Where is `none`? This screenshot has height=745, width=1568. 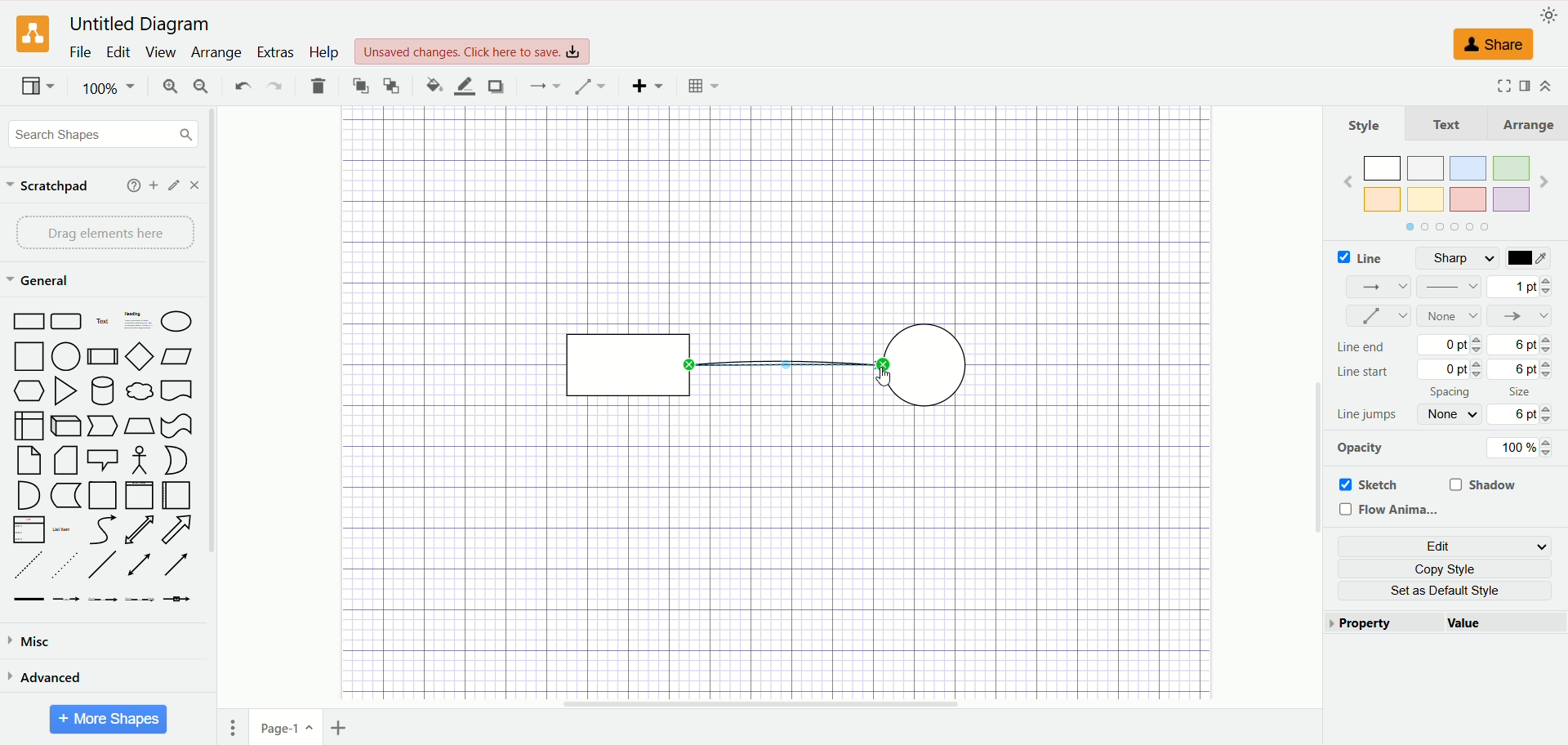
none is located at coordinates (1448, 413).